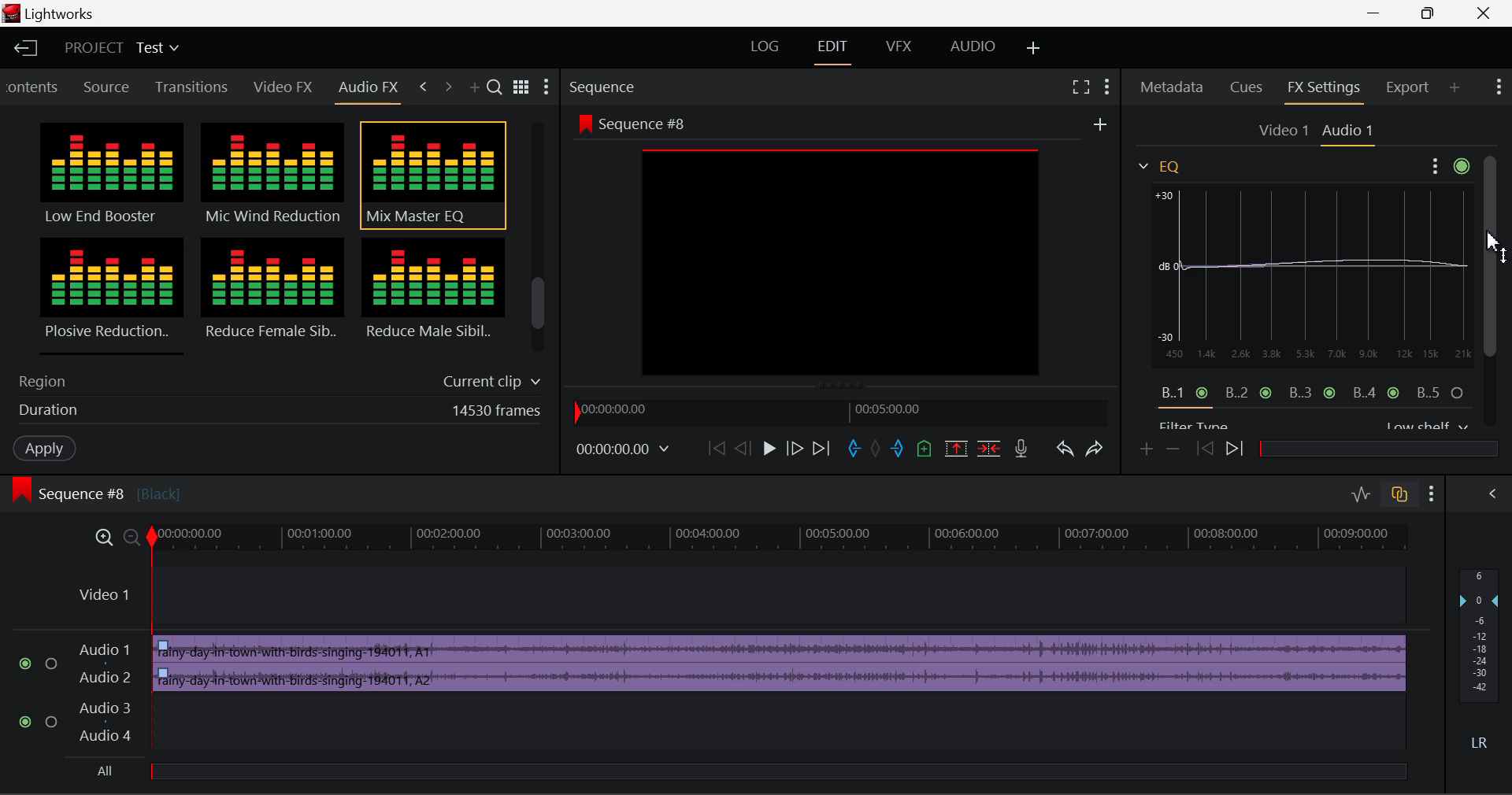 The height and width of the screenshot is (795, 1512). Describe the element at coordinates (1399, 495) in the screenshot. I see `Toggle Auto Track Sync` at that location.